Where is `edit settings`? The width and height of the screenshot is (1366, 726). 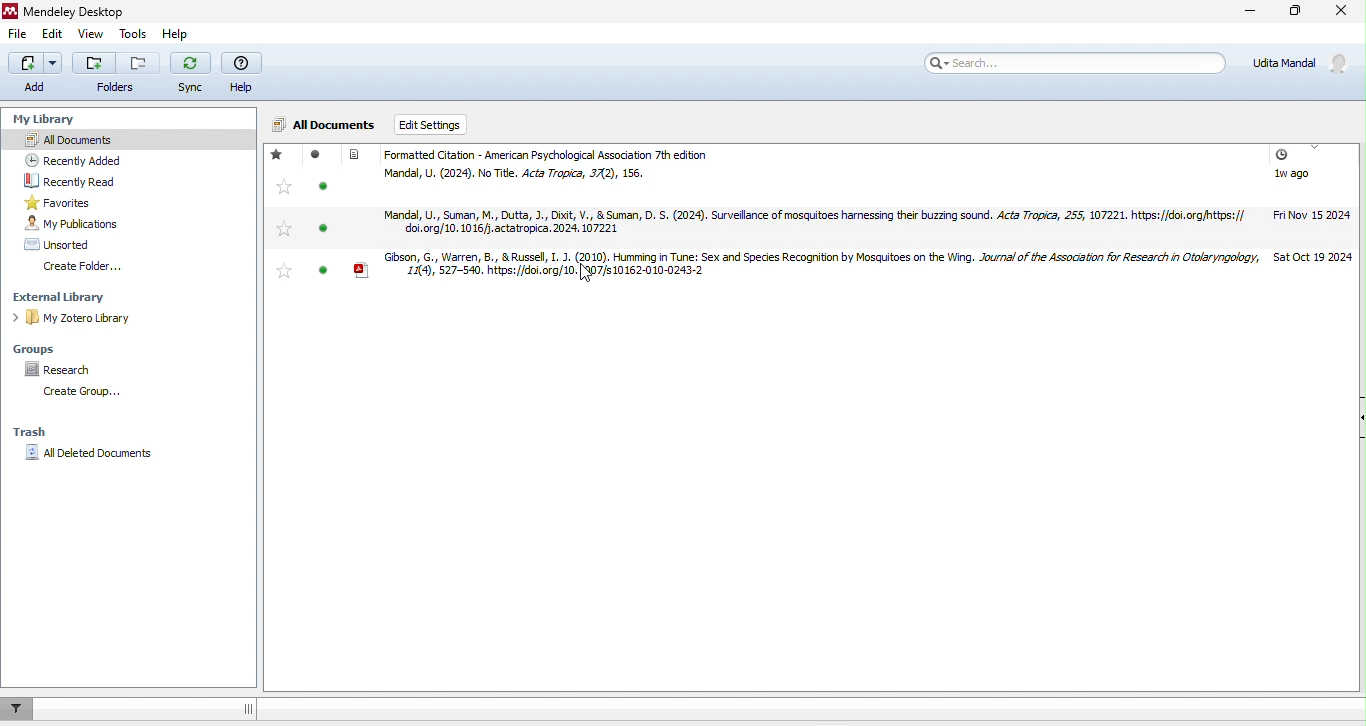 edit settings is located at coordinates (438, 122).